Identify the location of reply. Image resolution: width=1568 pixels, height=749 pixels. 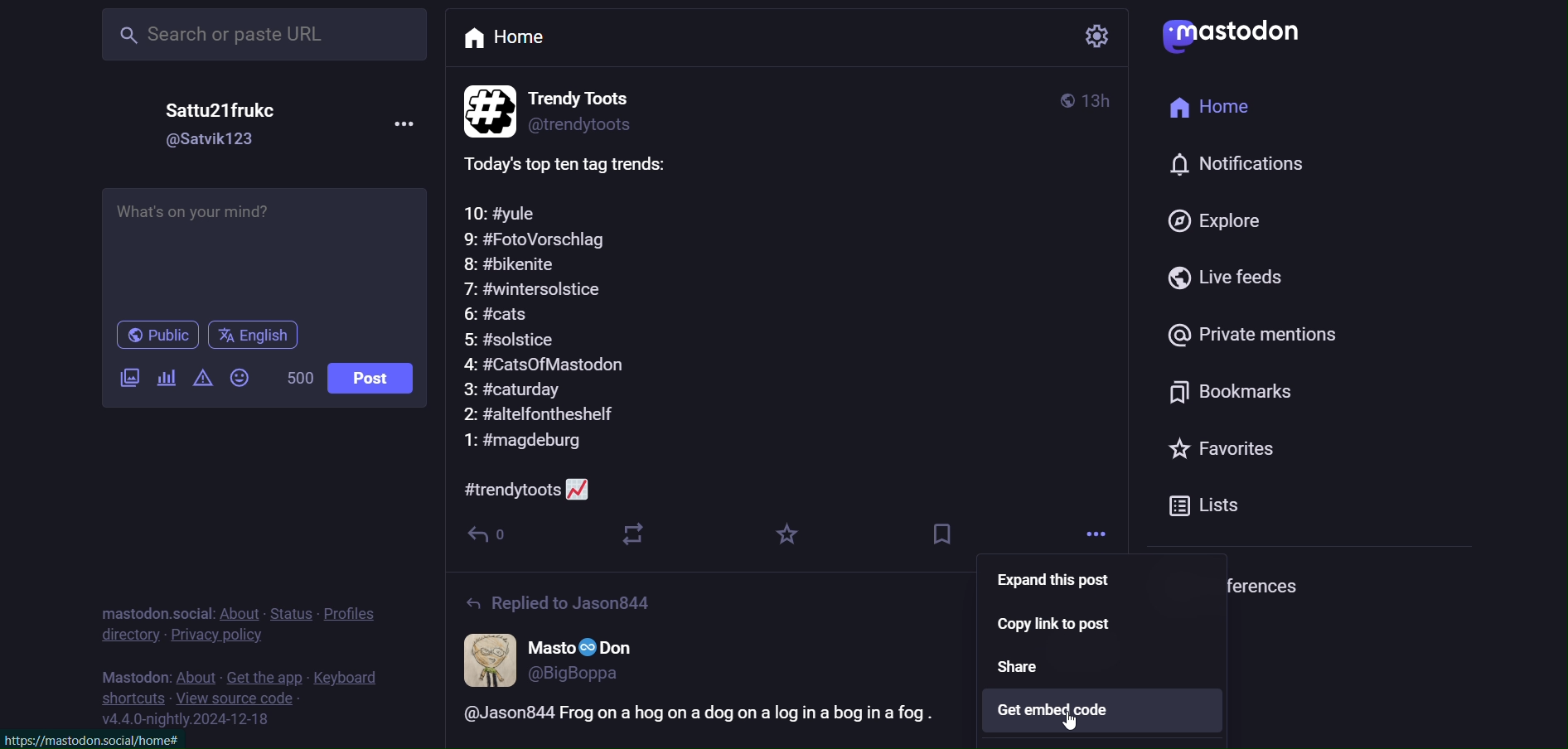
(492, 533).